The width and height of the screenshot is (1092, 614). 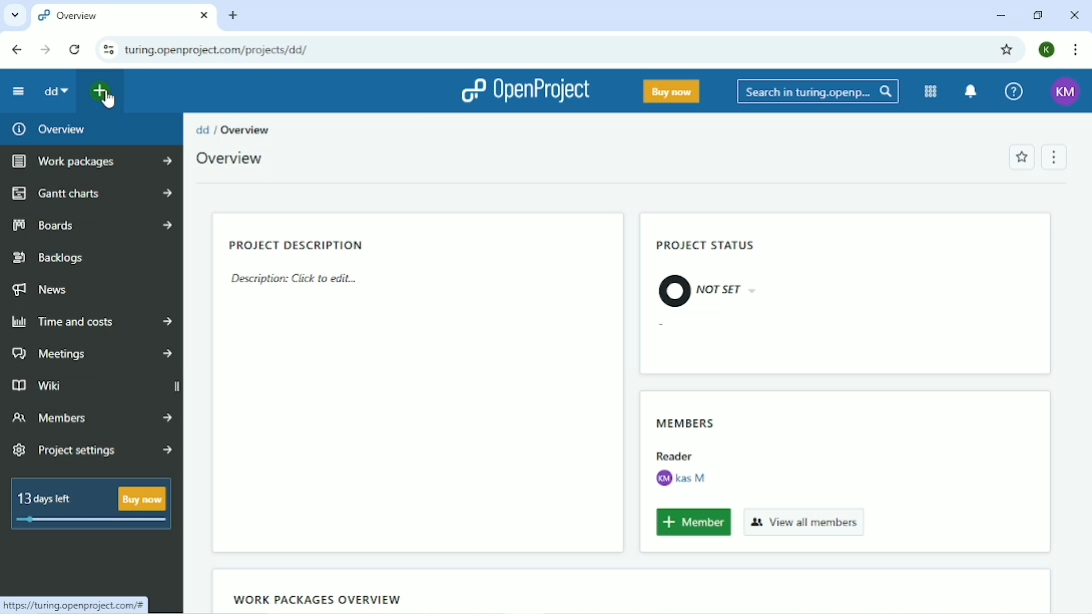 What do you see at coordinates (79, 605) in the screenshot?
I see `https://turing.openprojects.com/#` at bounding box center [79, 605].